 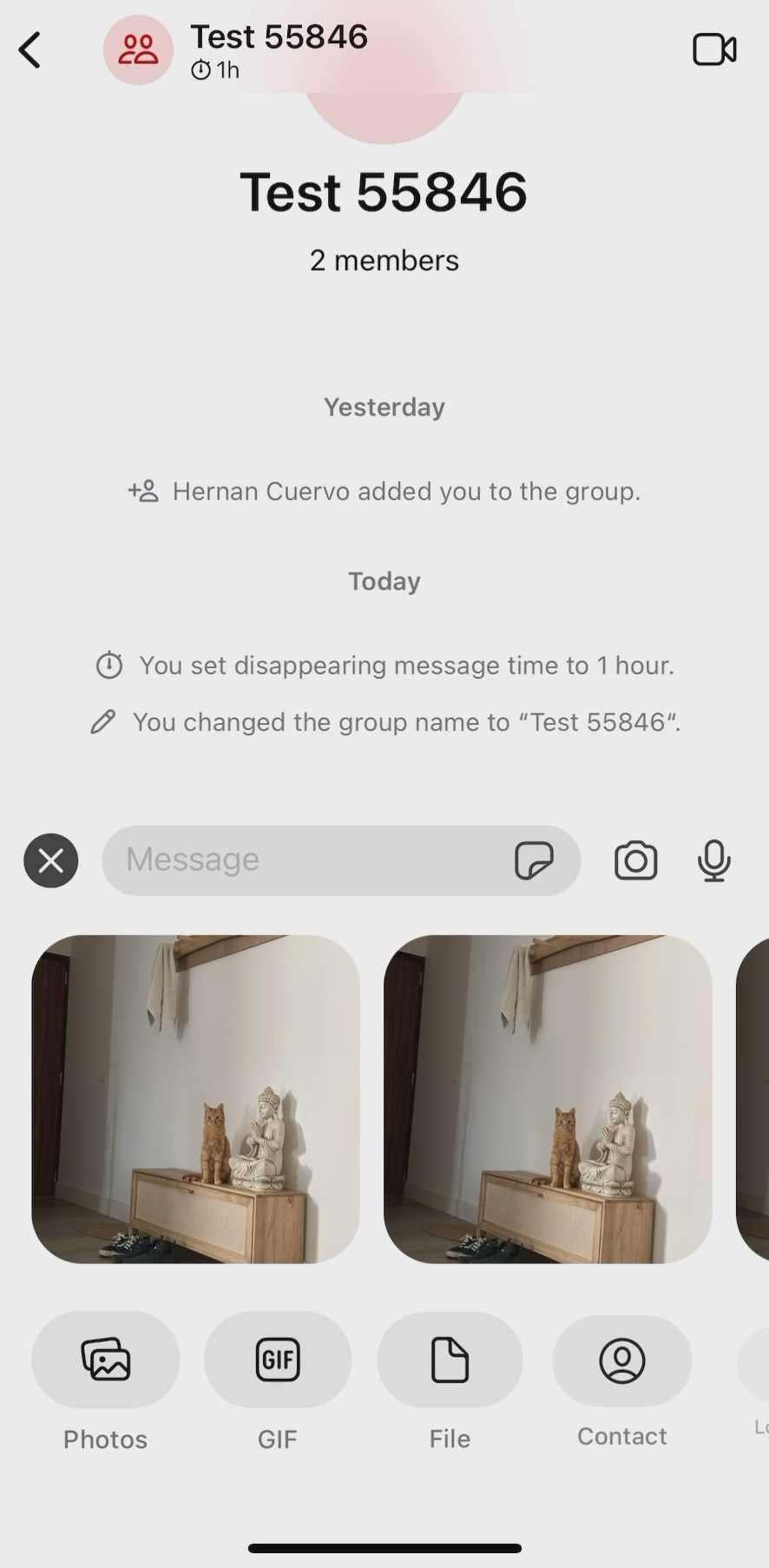 I want to click on bar, so click(x=384, y=1545).